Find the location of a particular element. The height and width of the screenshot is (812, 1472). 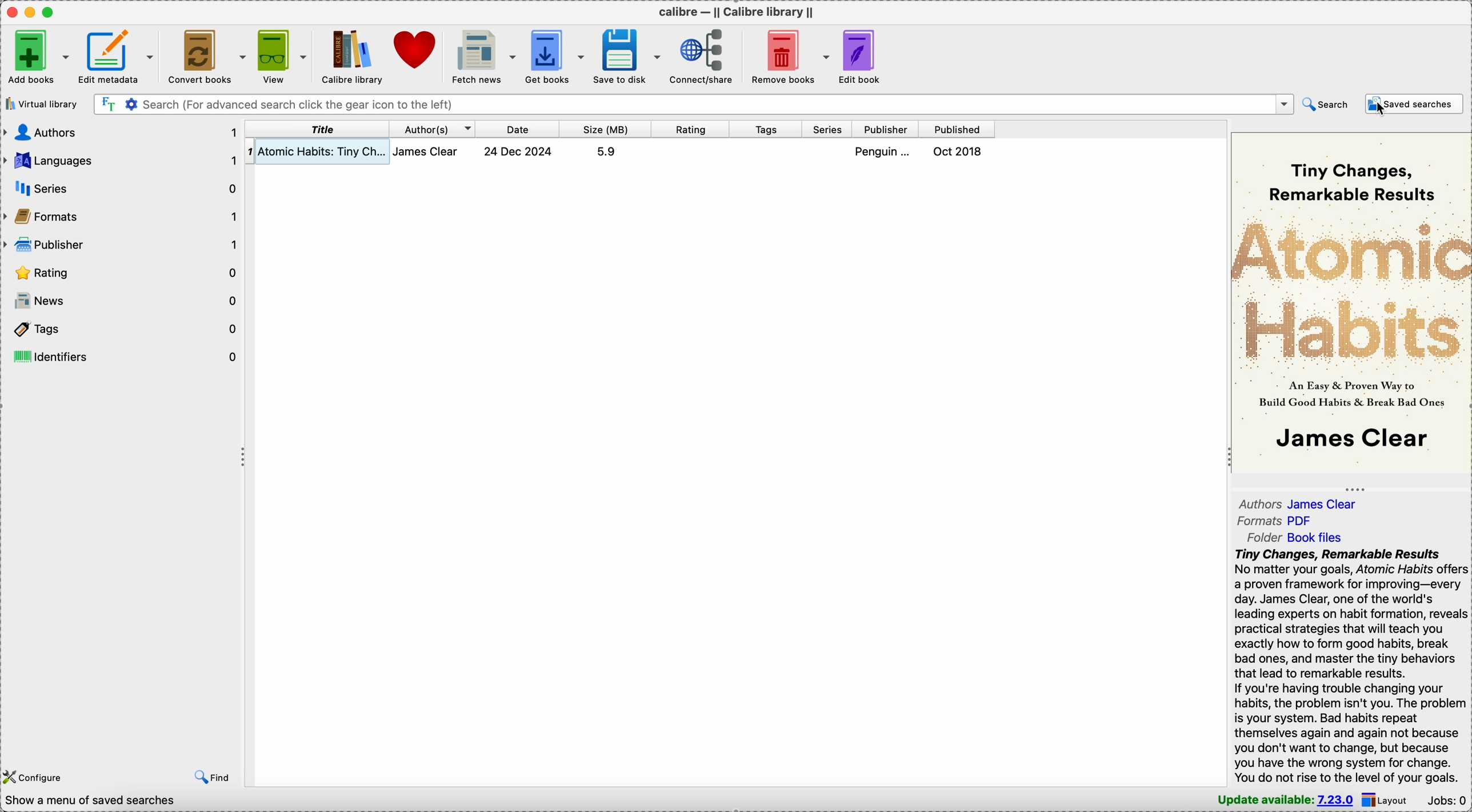

convert books is located at coordinates (205, 55).